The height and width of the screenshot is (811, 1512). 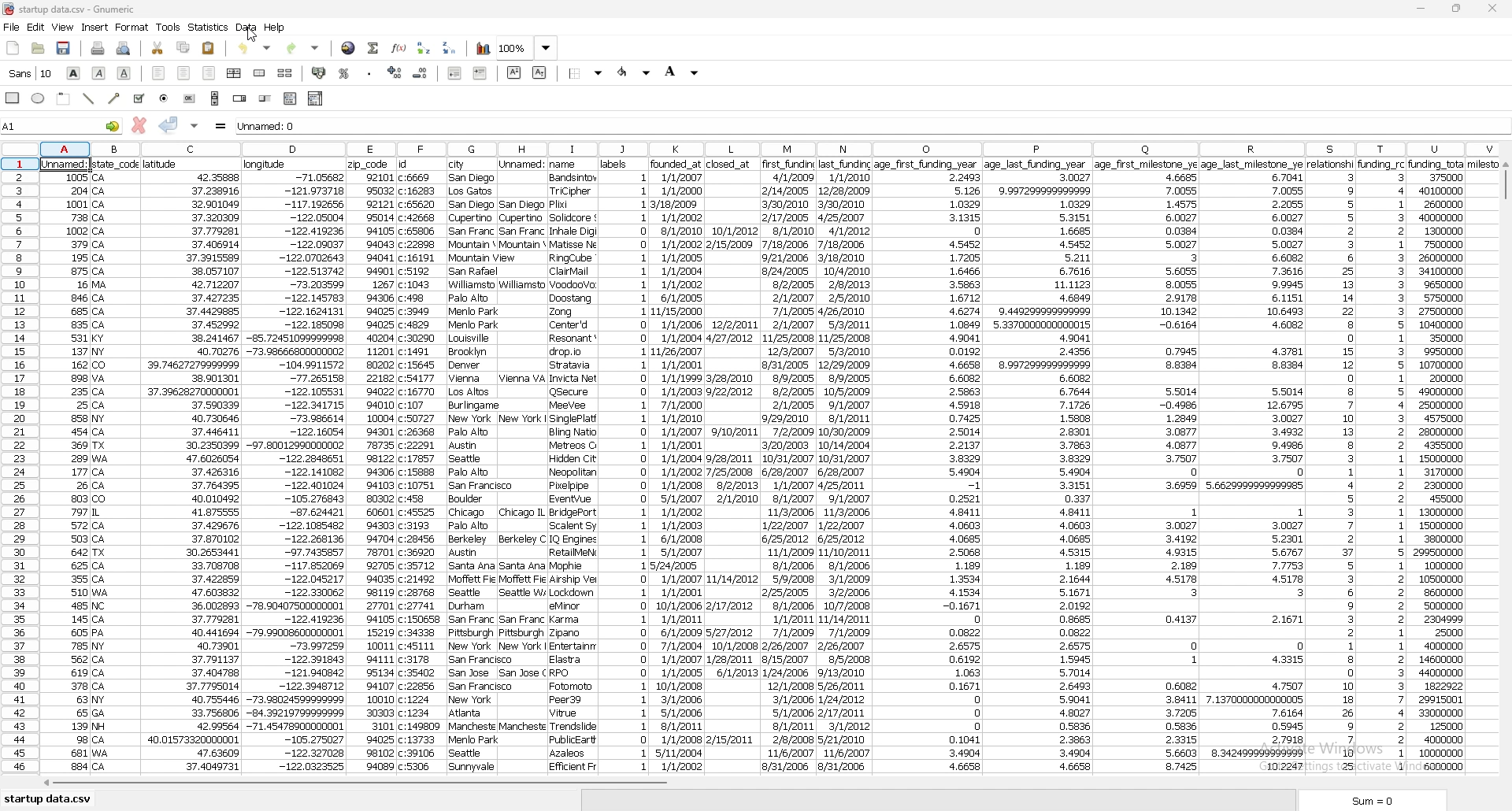 I want to click on decrease indent, so click(x=457, y=72).